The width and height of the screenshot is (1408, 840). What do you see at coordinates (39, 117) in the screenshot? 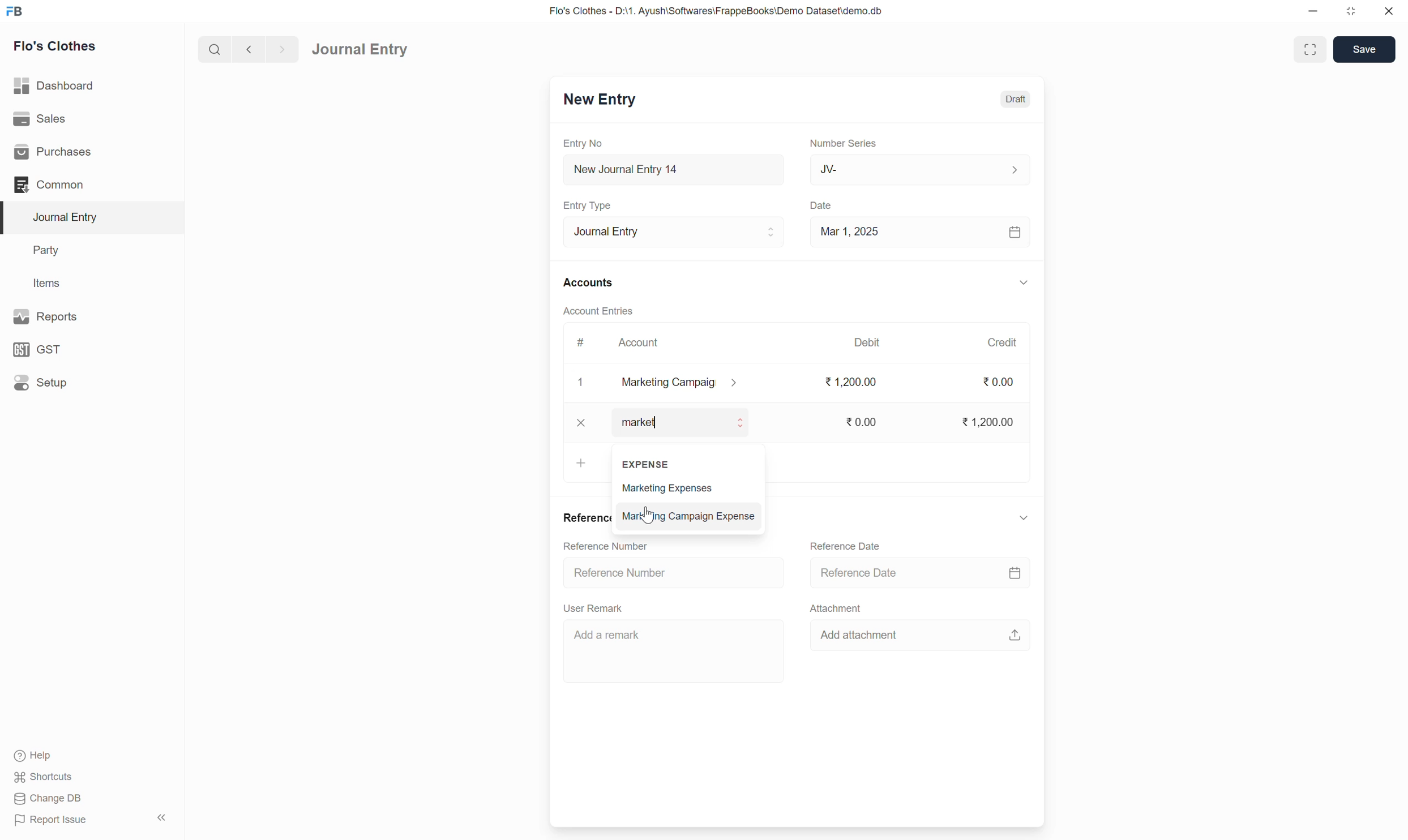
I see `Sales` at bounding box center [39, 117].